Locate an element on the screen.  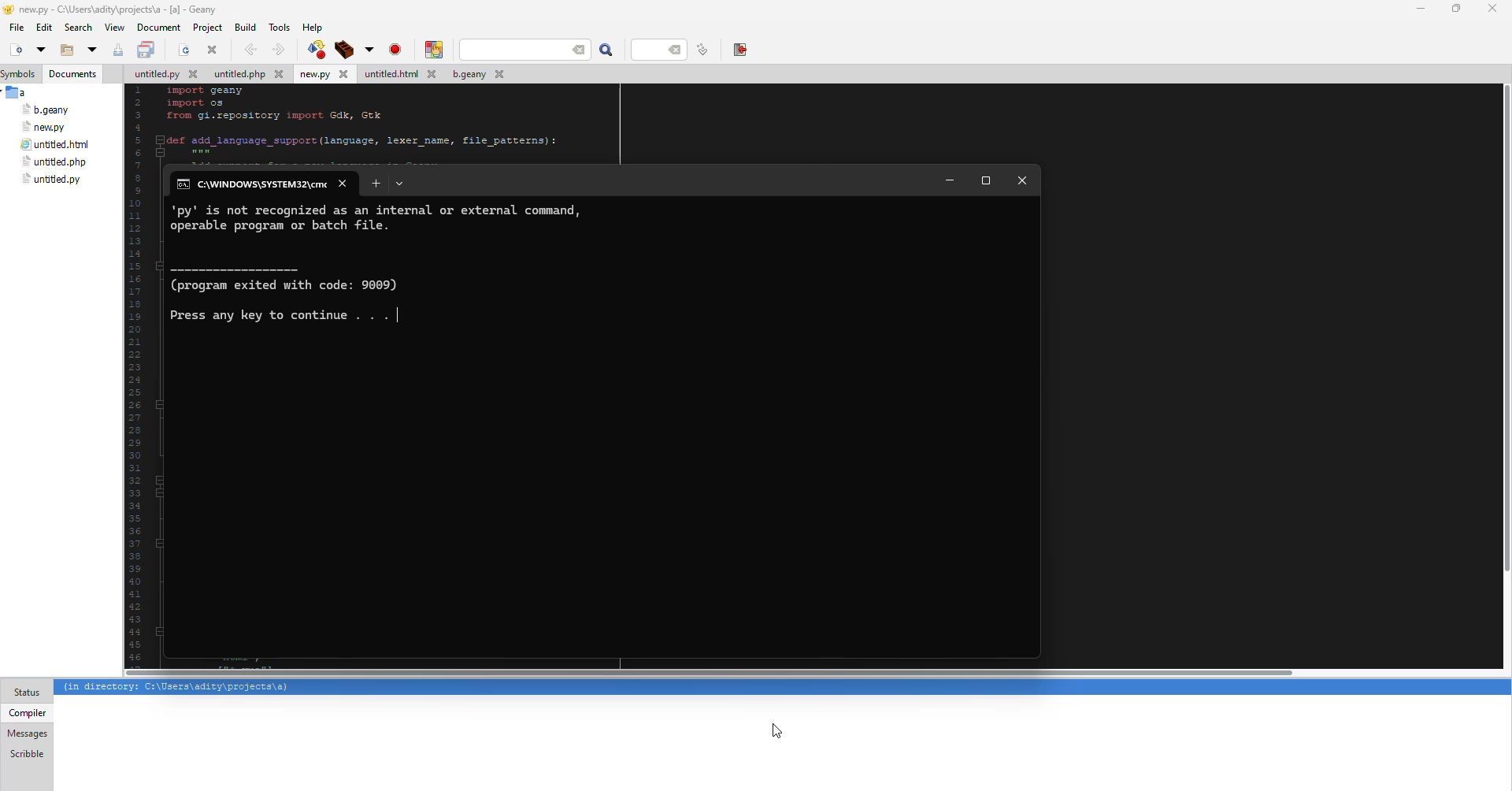
exit is located at coordinates (737, 49).